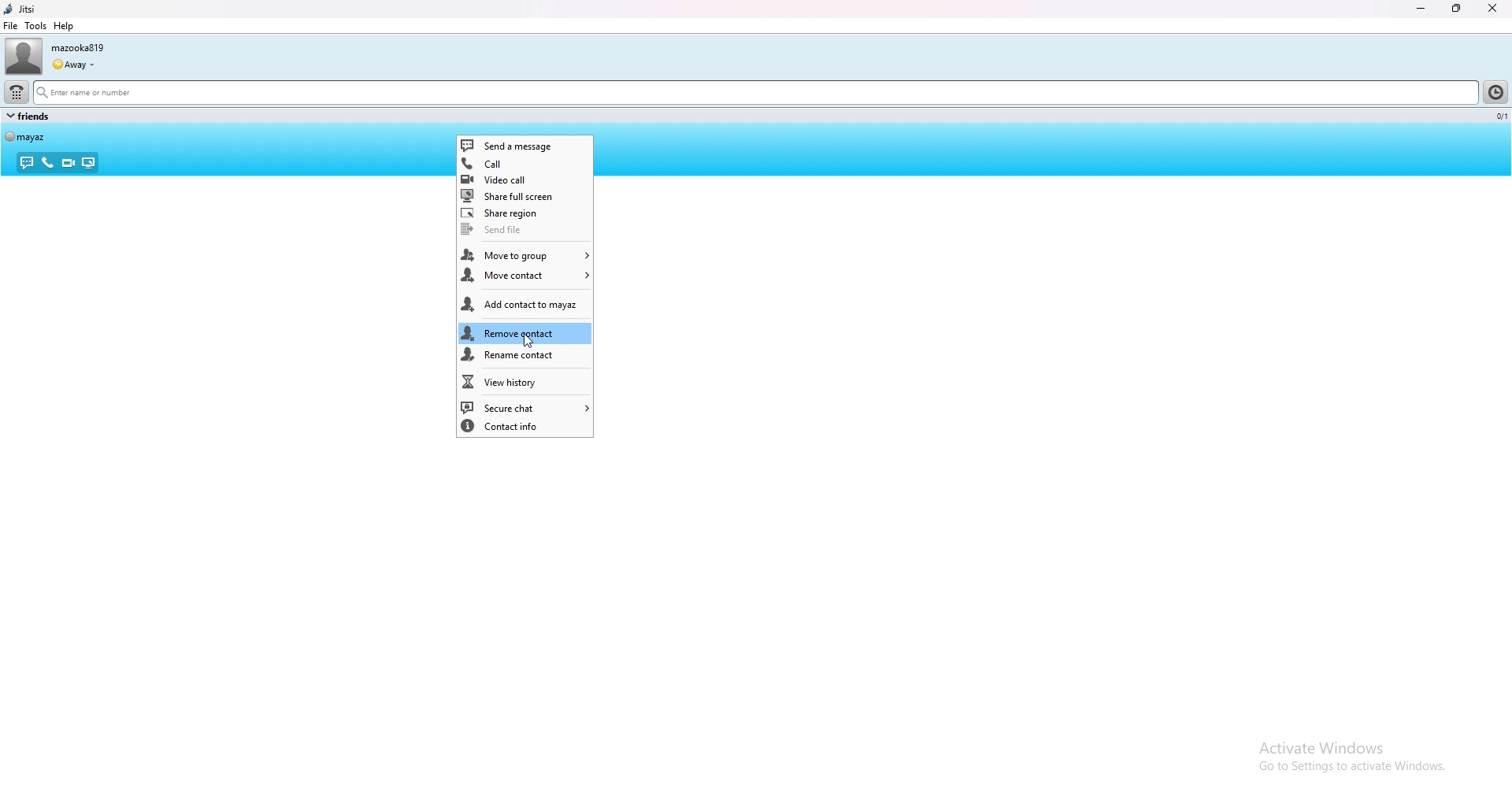 Image resolution: width=1512 pixels, height=811 pixels. What do you see at coordinates (62, 26) in the screenshot?
I see `help` at bounding box center [62, 26].